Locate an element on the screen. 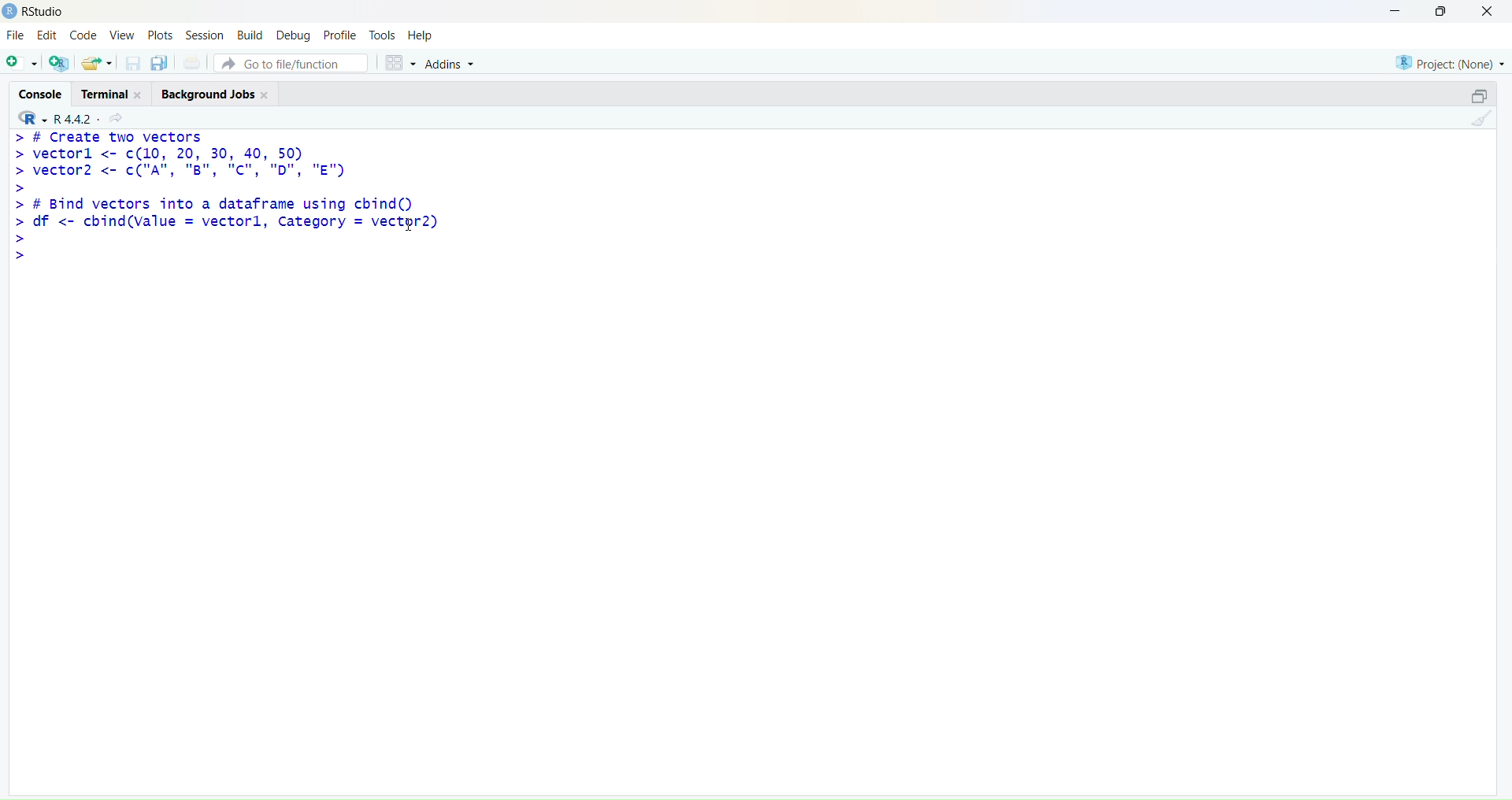 The image size is (1512, 800). open existing document is located at coordinates (97, 64).